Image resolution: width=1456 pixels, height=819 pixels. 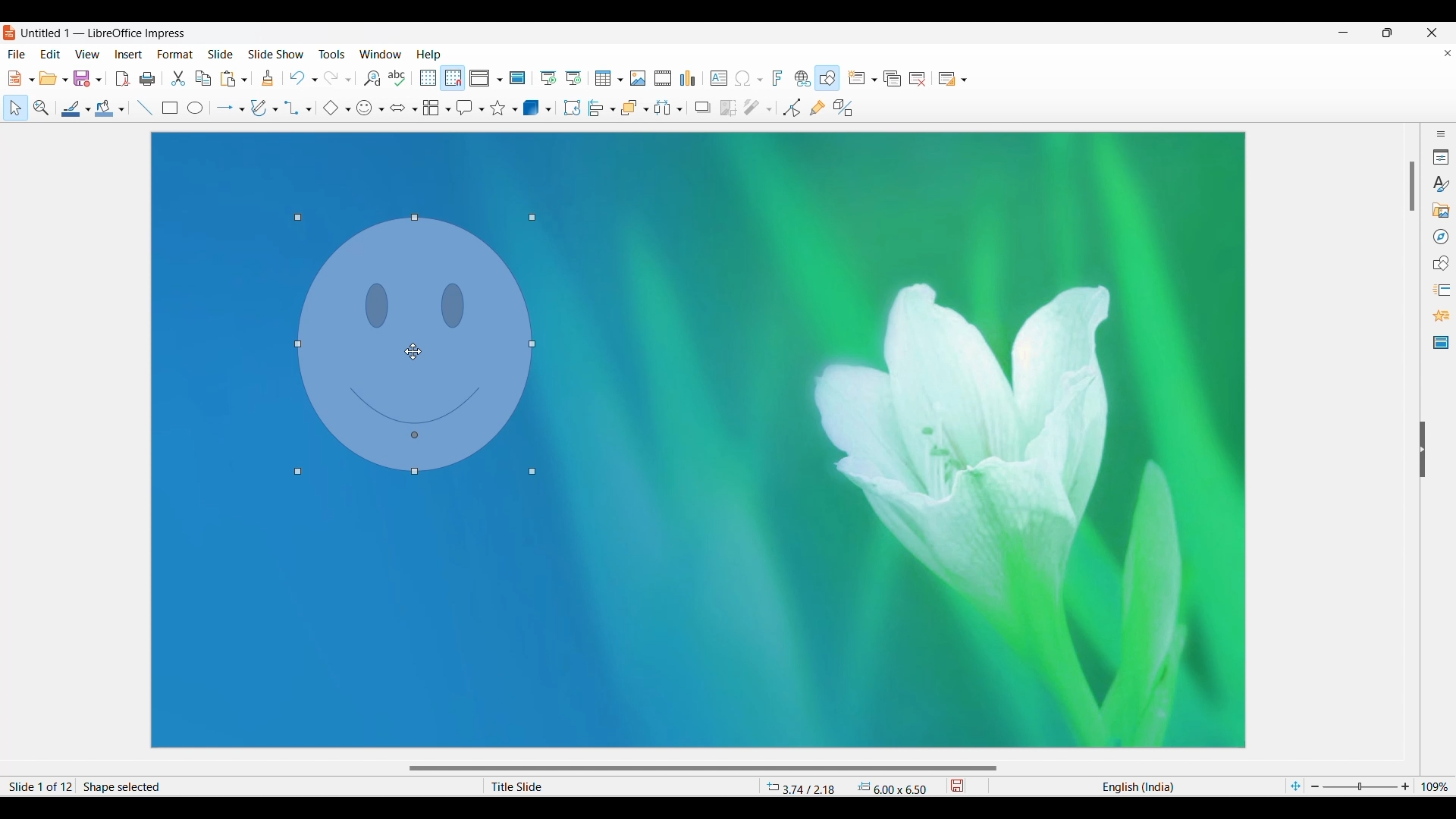 I want to click on Slide, so click(x=221, y=54).